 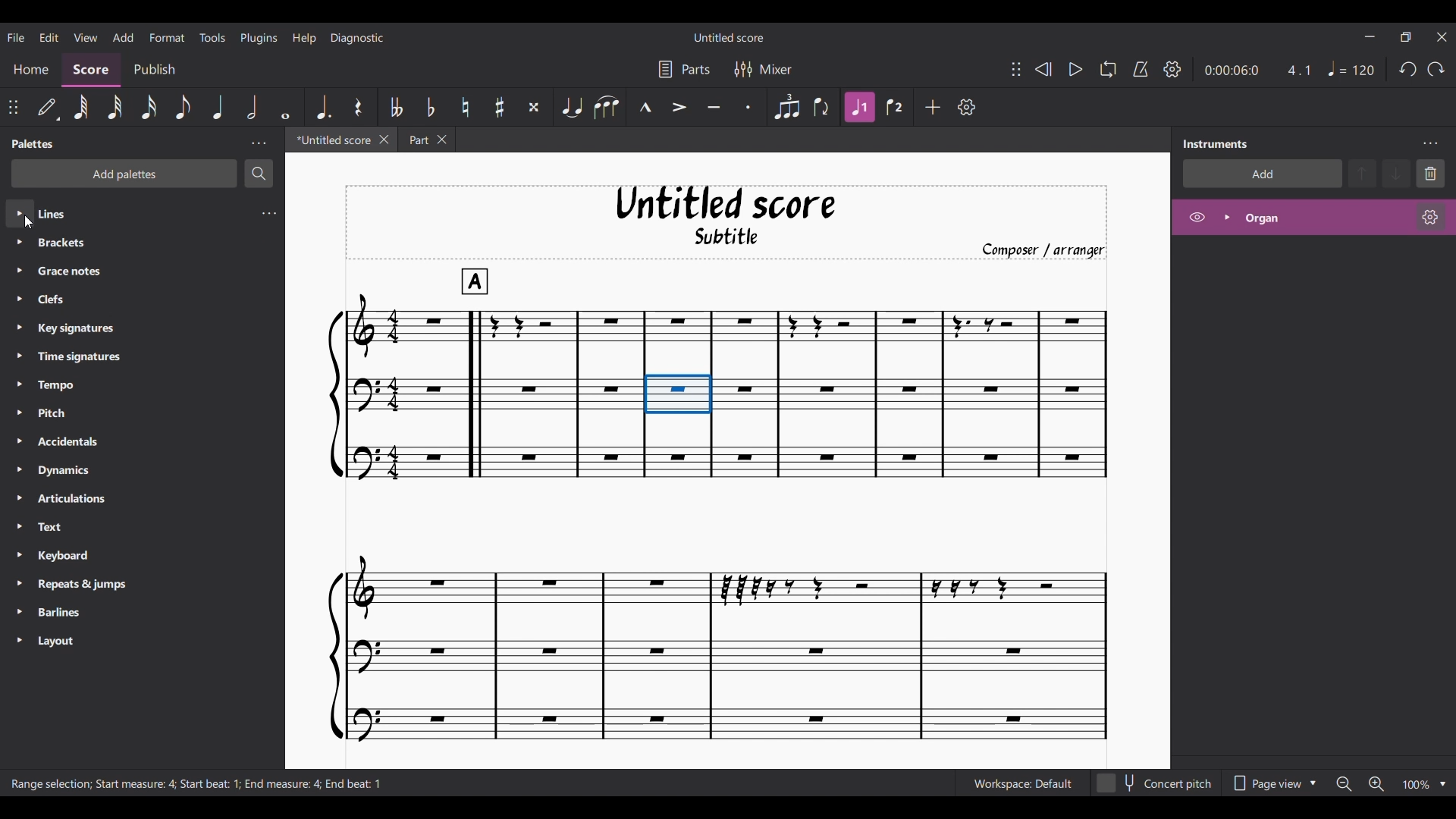 I want to click on Toggle flat, so click(x=430, y=107).